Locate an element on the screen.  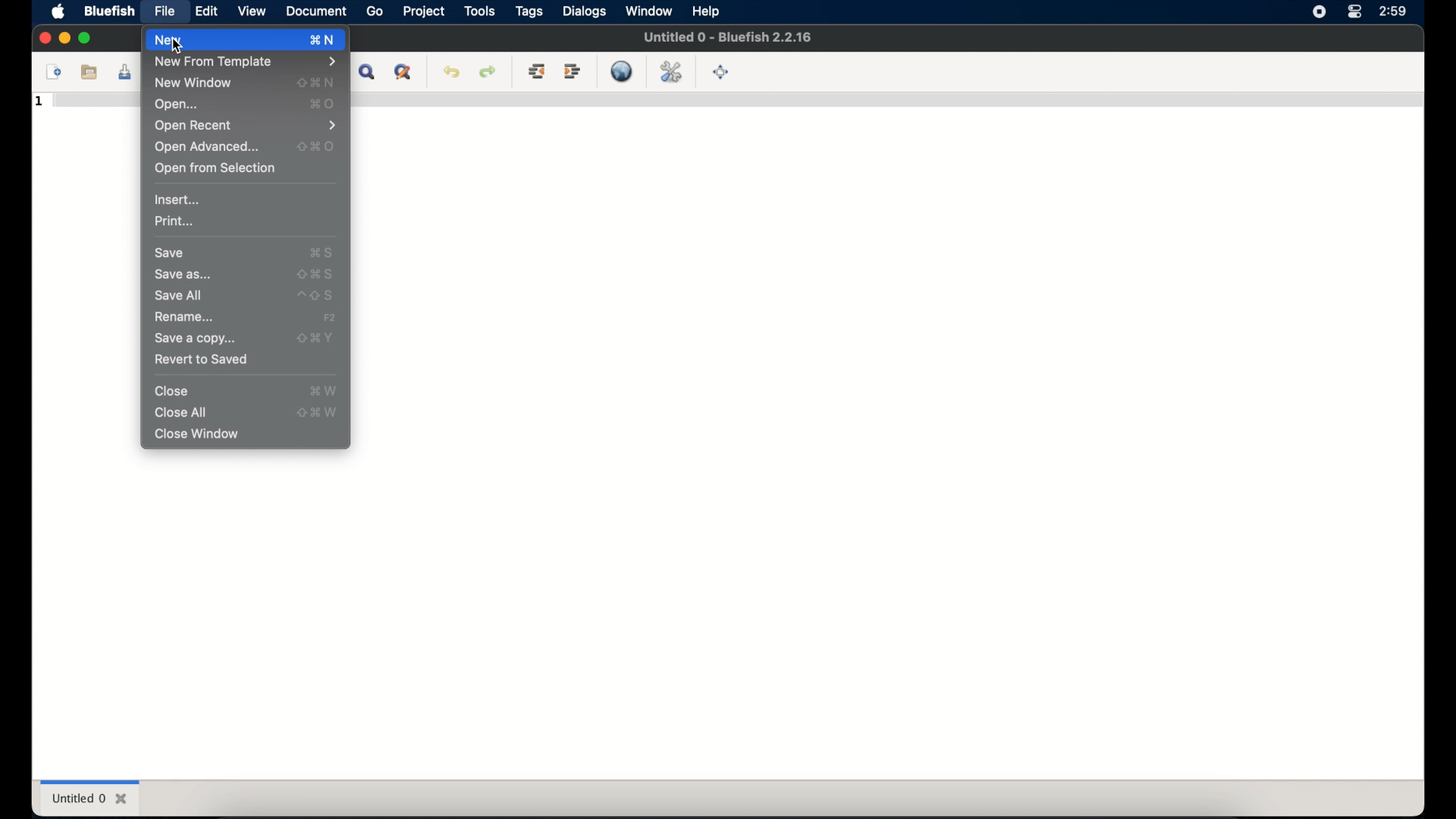
redo is located at coordinates (488, 71).